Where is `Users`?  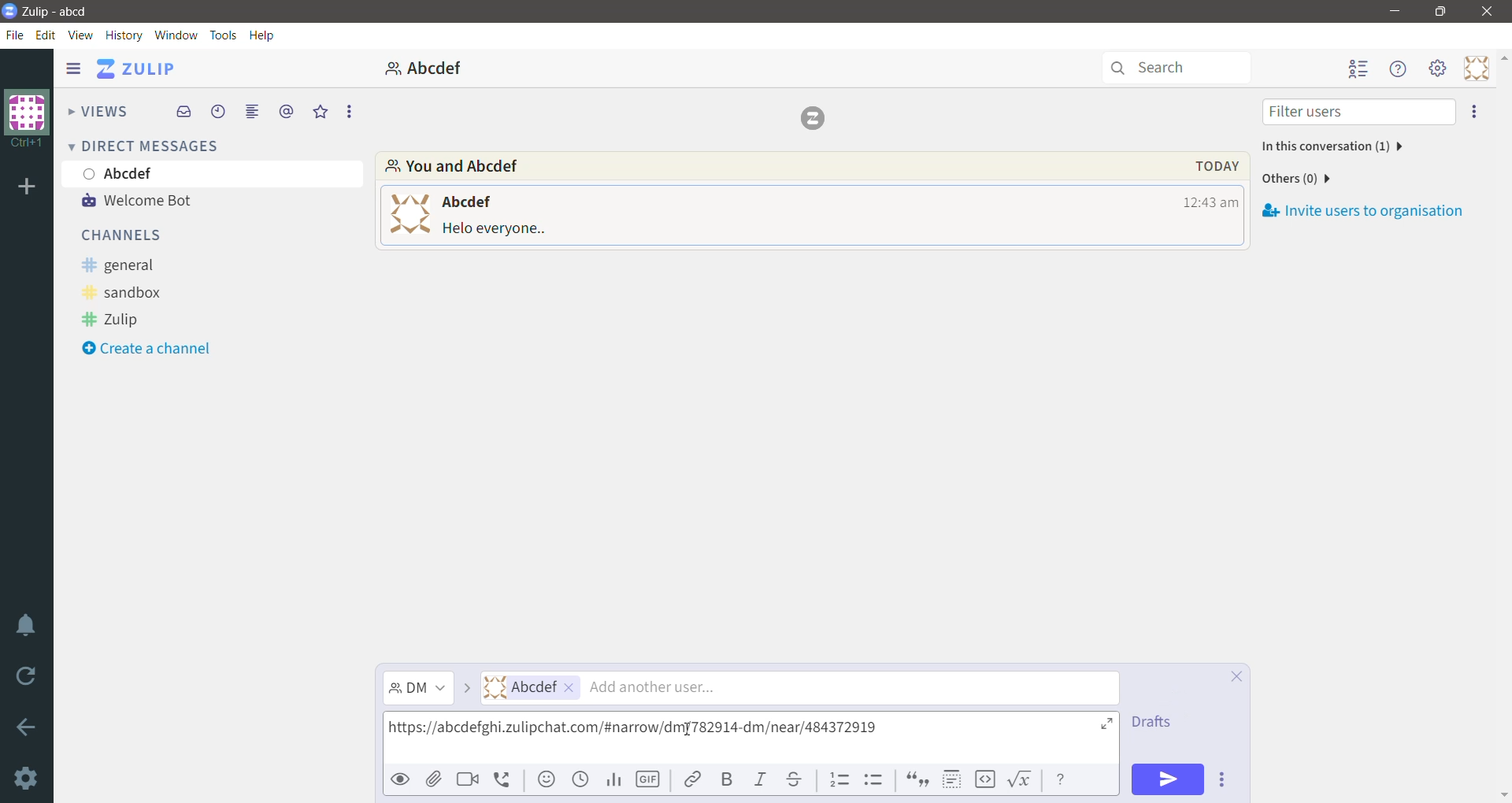
Users is located at coordinates (800, 688).